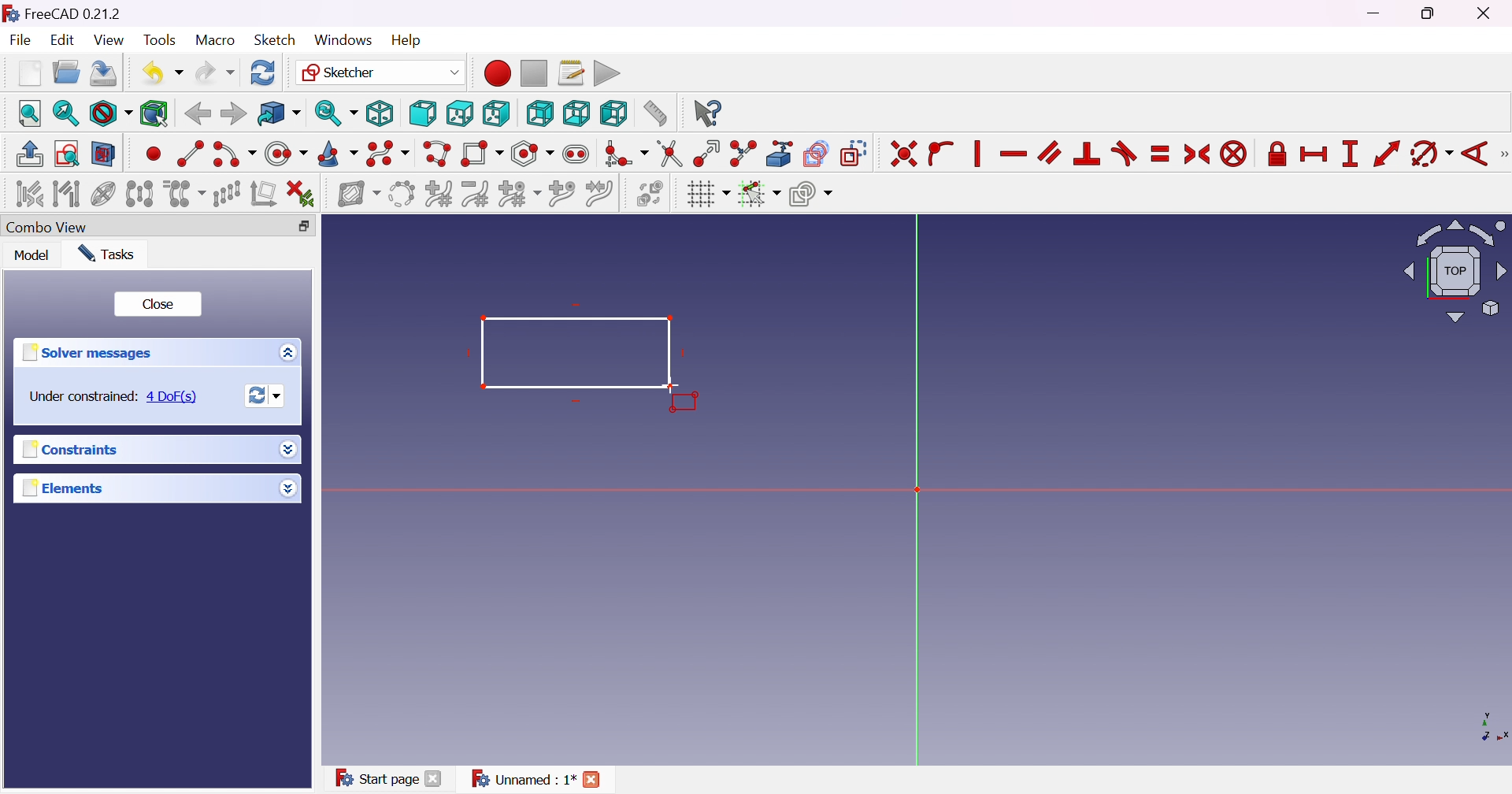 The width and height of the screenshot is (1512, 794). What do you see at coordinates (671, 154) in the screenshot?
I see `Trim edge` at bounding box center [671, 154].